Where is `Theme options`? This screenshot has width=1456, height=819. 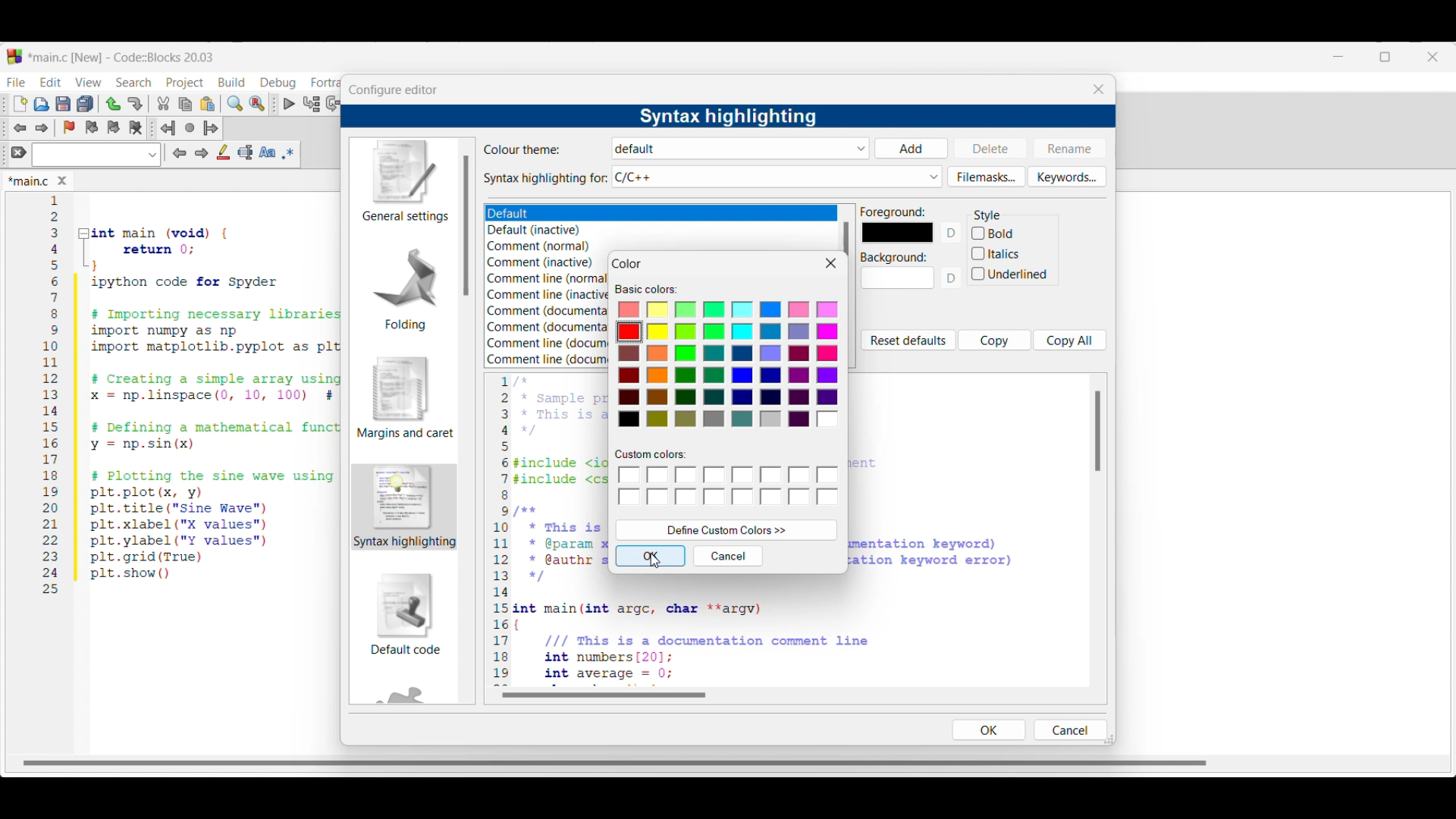
Theme options is located at coordinates (527, 214).